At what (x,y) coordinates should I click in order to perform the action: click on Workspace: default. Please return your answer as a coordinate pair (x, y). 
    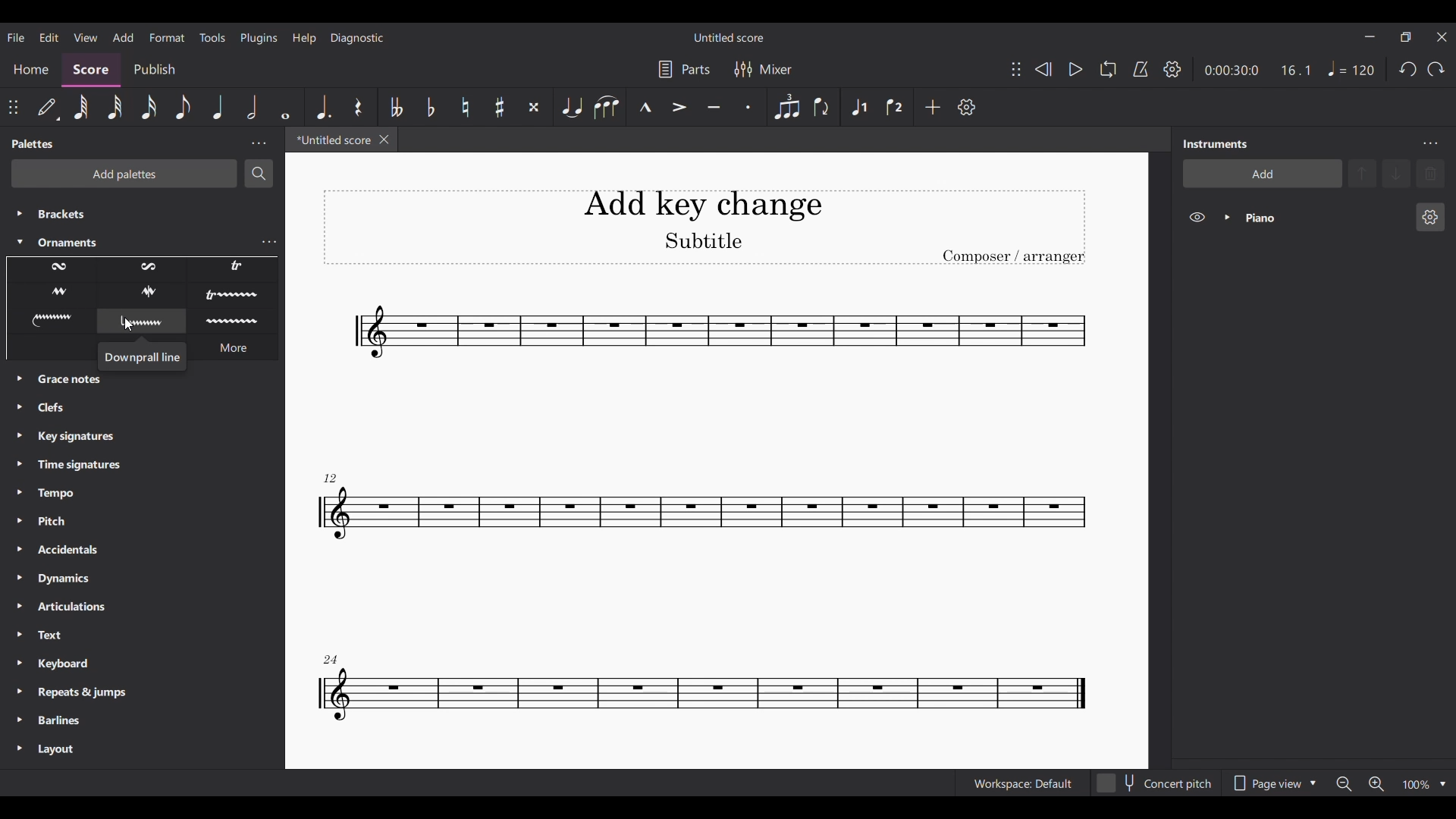
    Looking at the image, I should click on (1023, 783).